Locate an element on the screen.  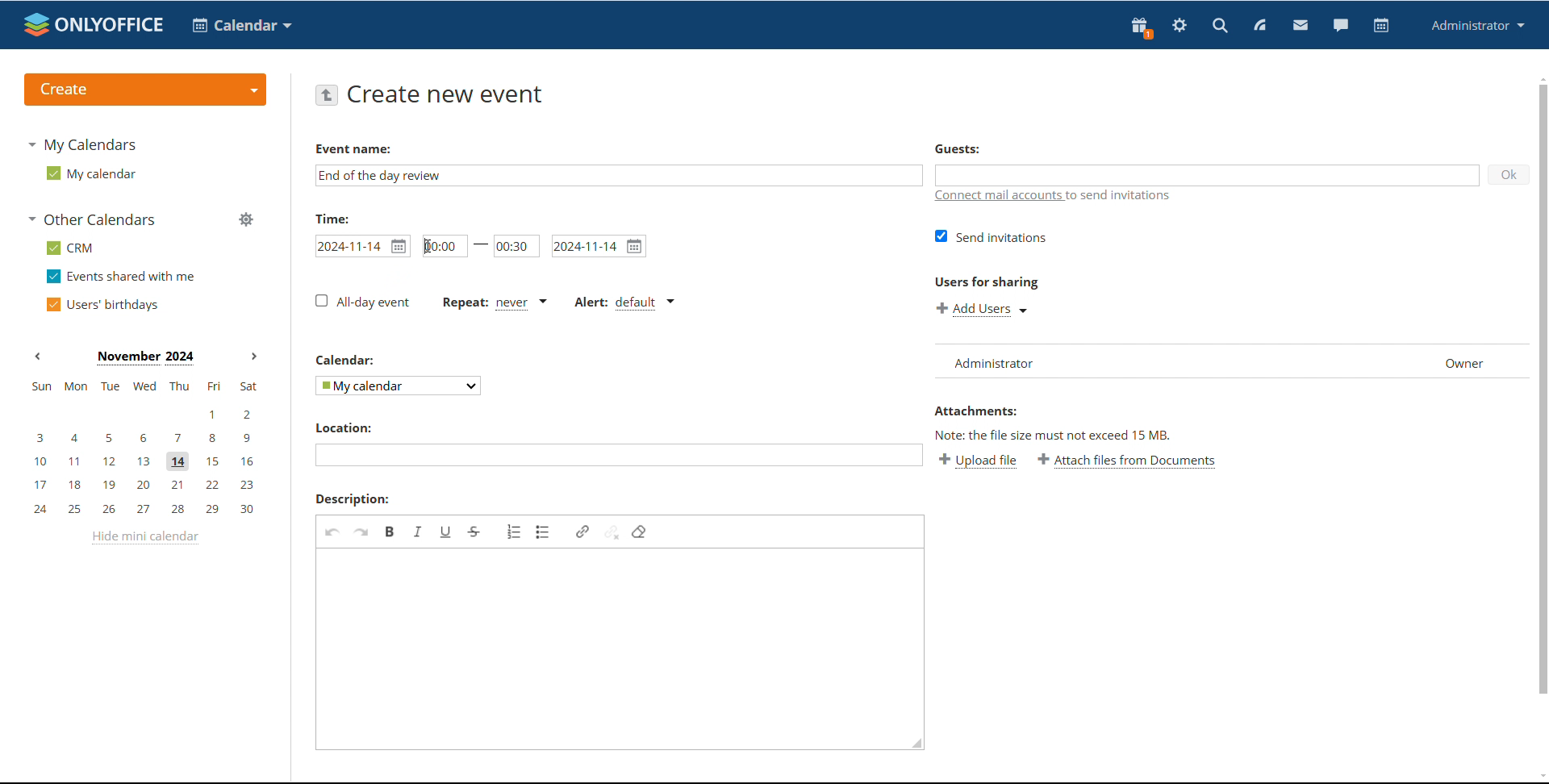
calendar is located at coordinates (1381, 26).